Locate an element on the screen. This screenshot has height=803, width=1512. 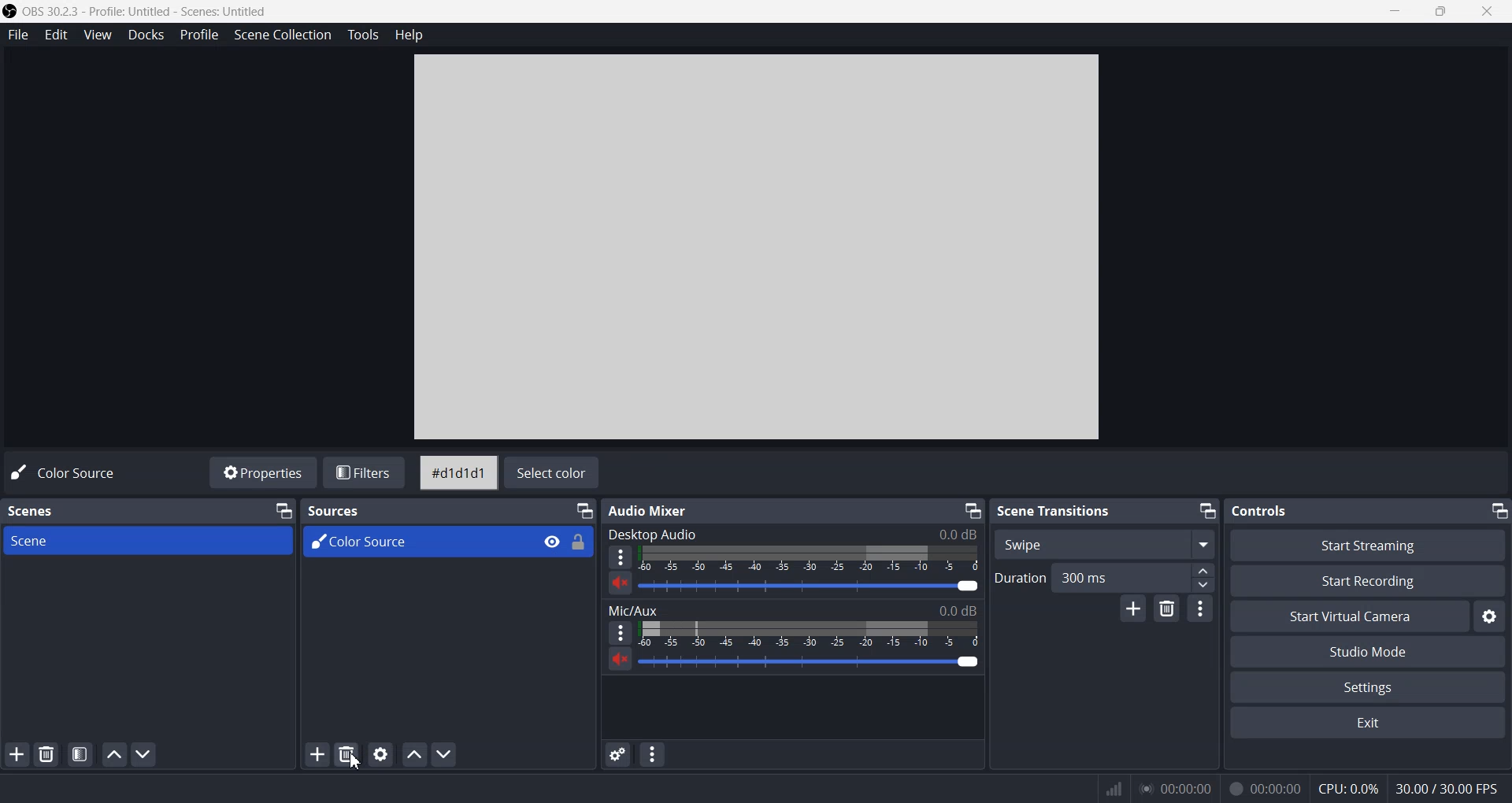
Scene Collection is located at coordinates (283, 35).